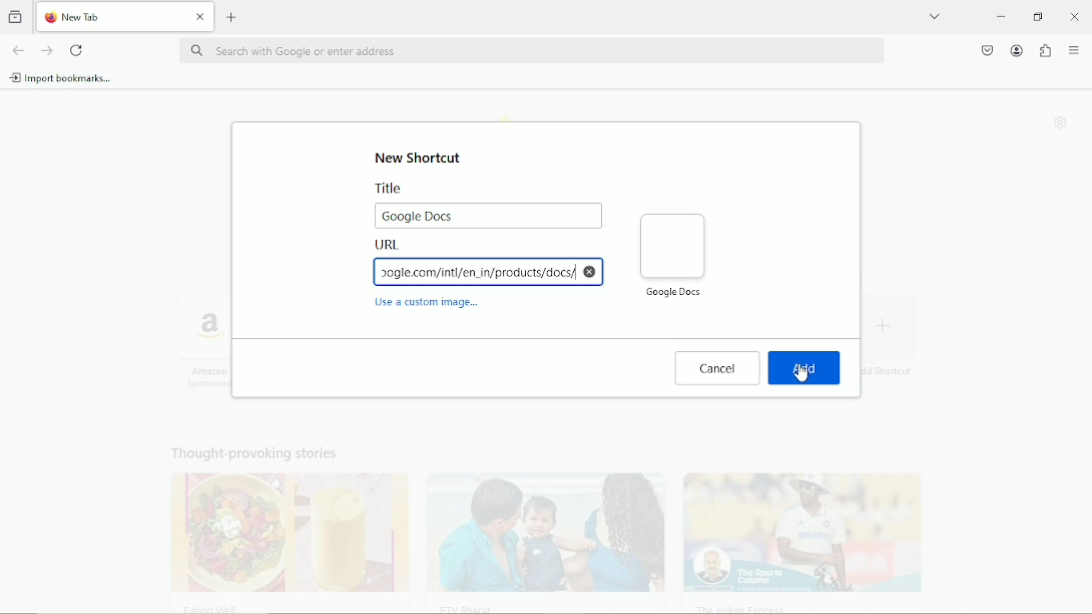 The height and width of the screenshot is (614, 1092). I want to click on New Tab, so click(110, 17).